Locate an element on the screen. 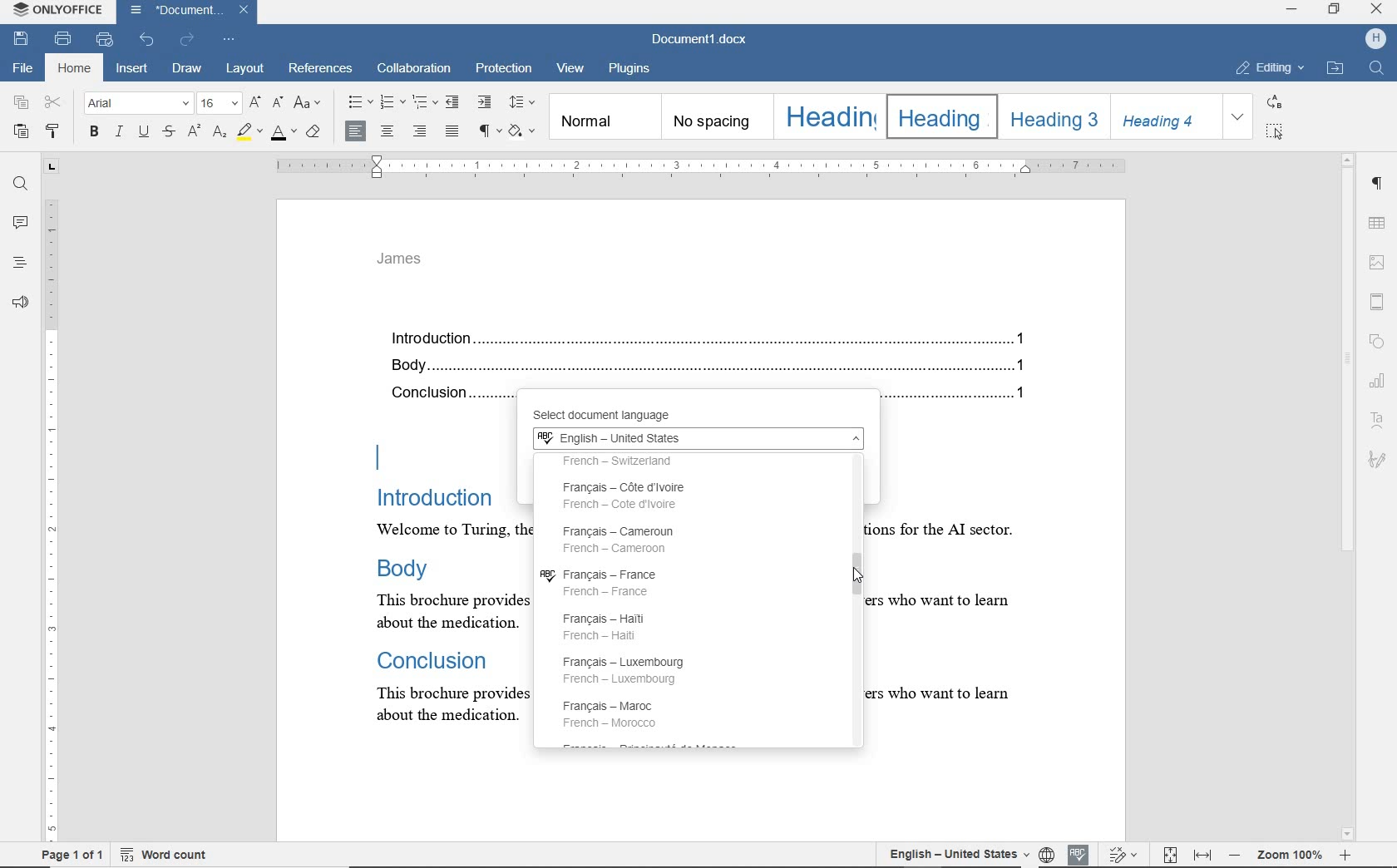  align left is located at coordinates (356, 131).